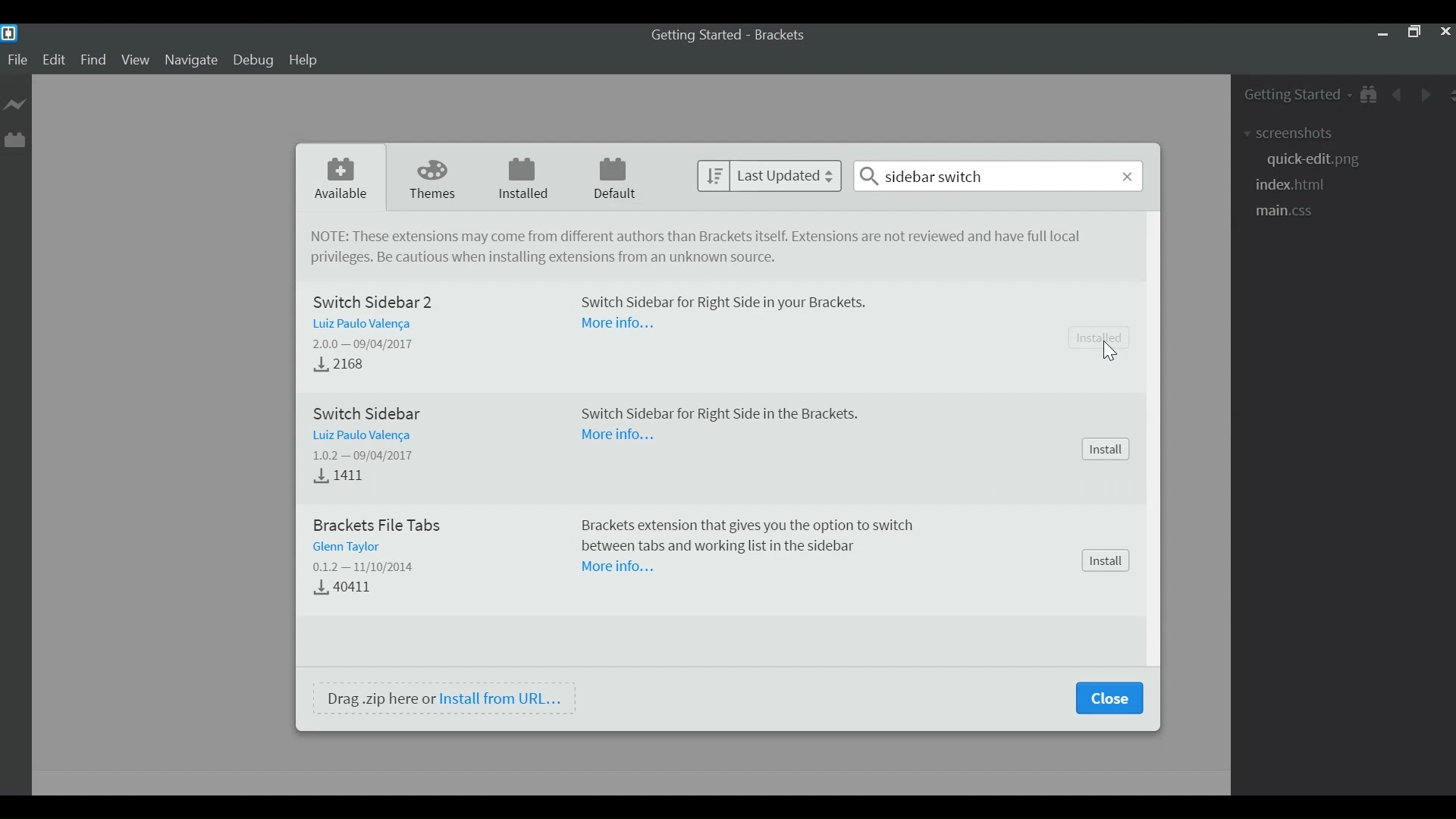  What do you see at coordinates (348, 586) in the screenshot?
I see `Download` at bounding box center [348, 586].